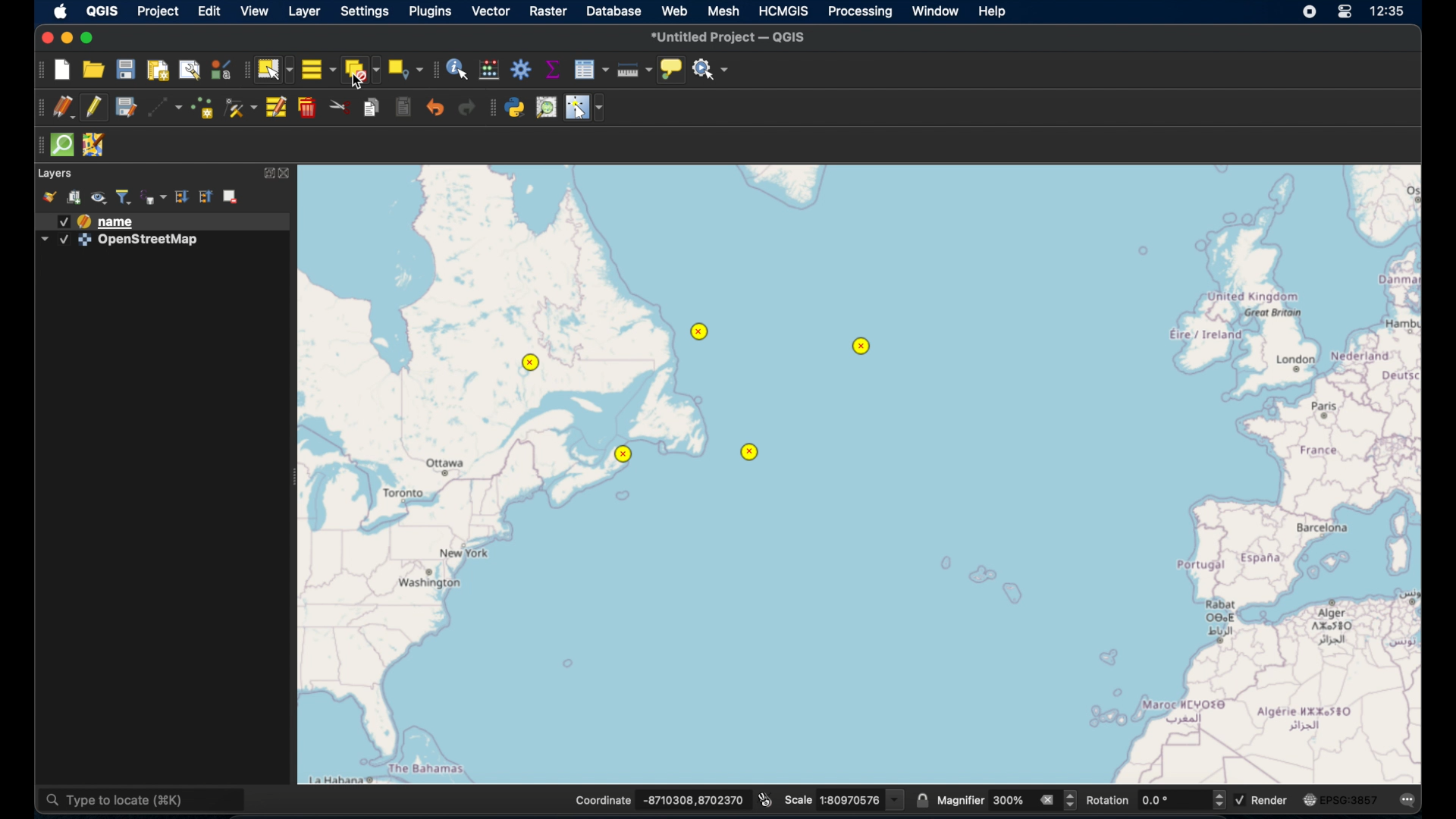 The width and height of the screenshot is (1456, 819). Describe the element at coordinates (245, 71) in the screenshot. I see `selection toolbar` at that location.